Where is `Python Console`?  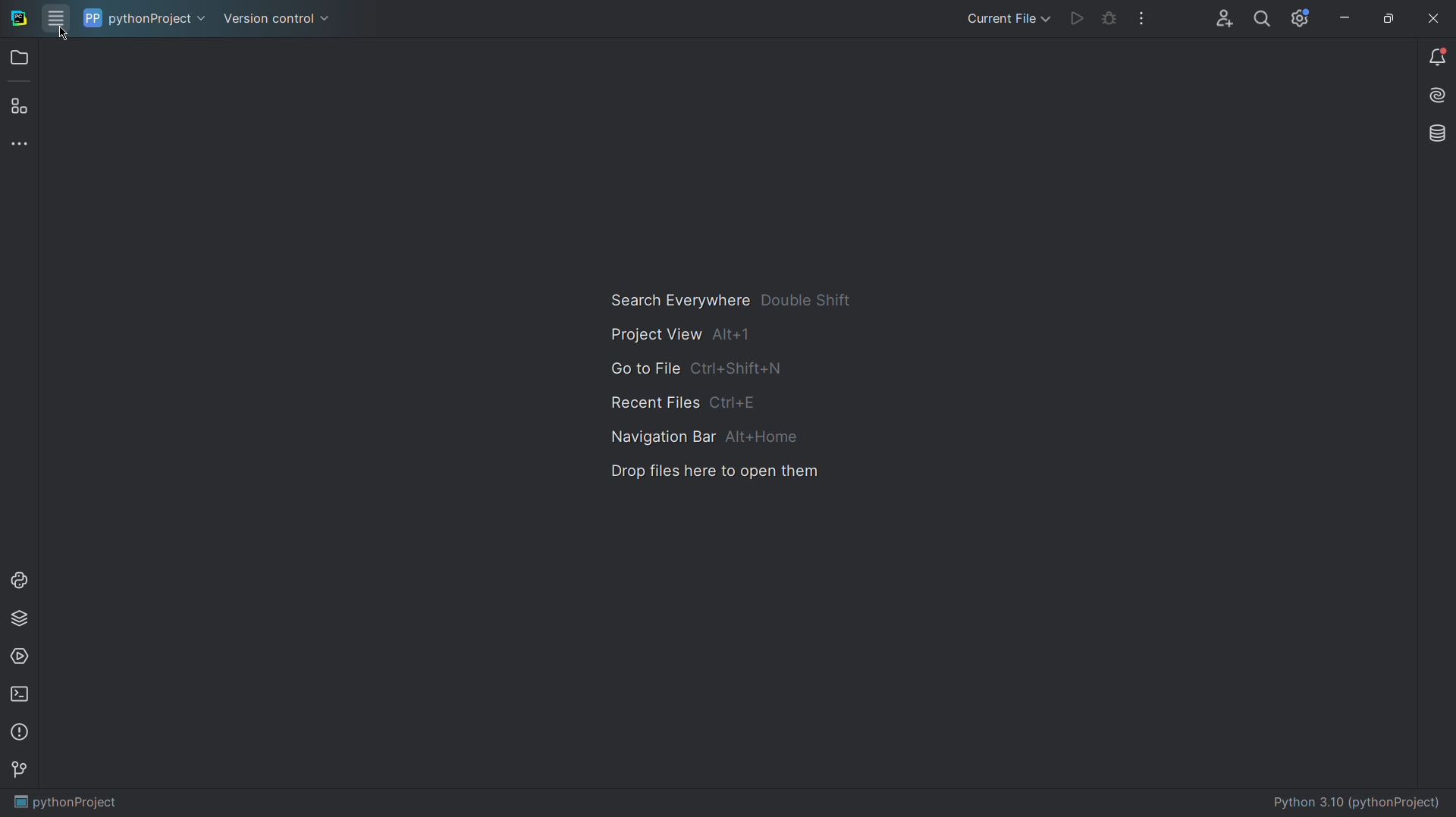 Python Console is located at coordinates (21, 581).